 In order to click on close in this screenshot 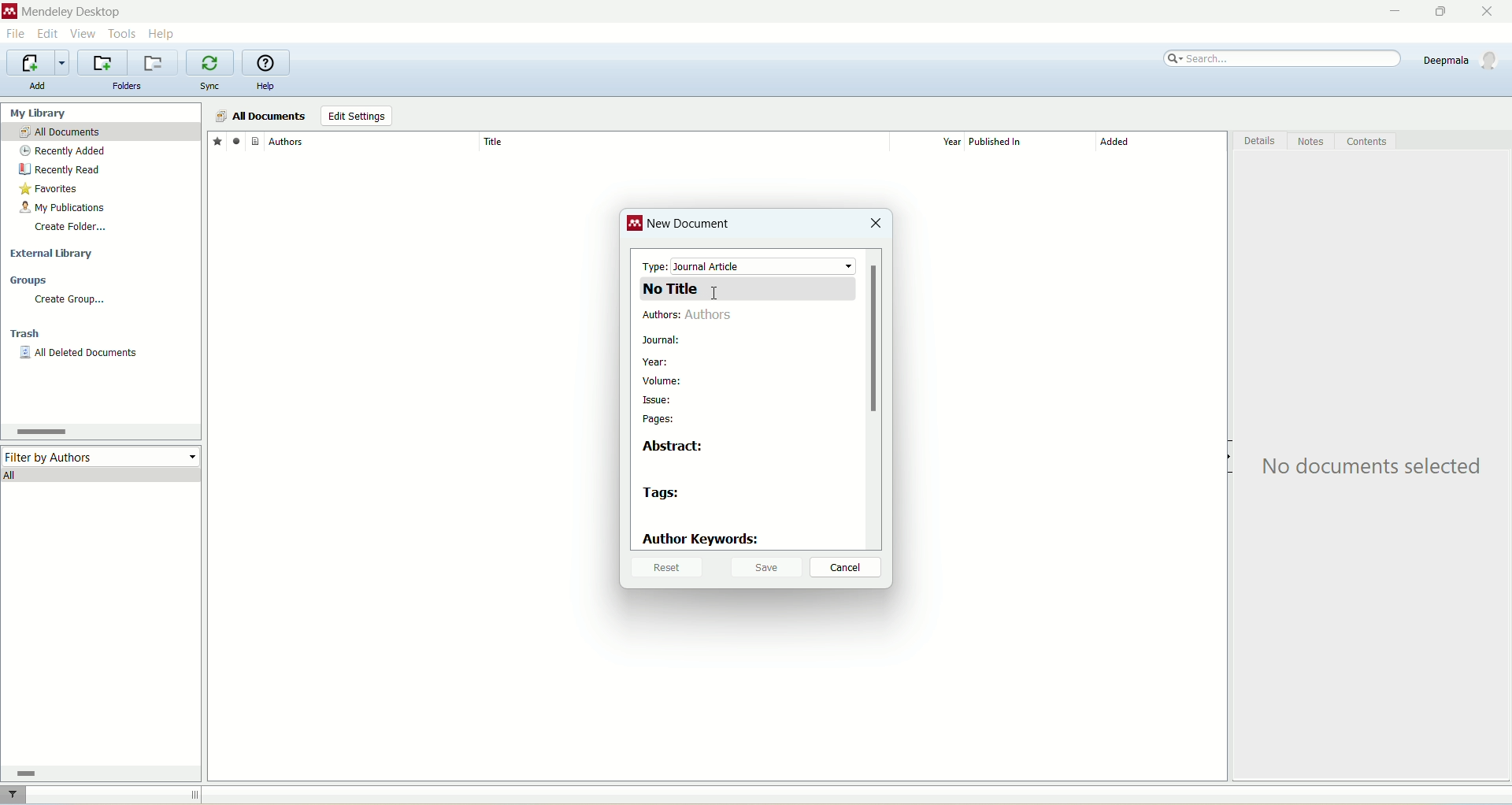, I will do `click(1494, 12)`.